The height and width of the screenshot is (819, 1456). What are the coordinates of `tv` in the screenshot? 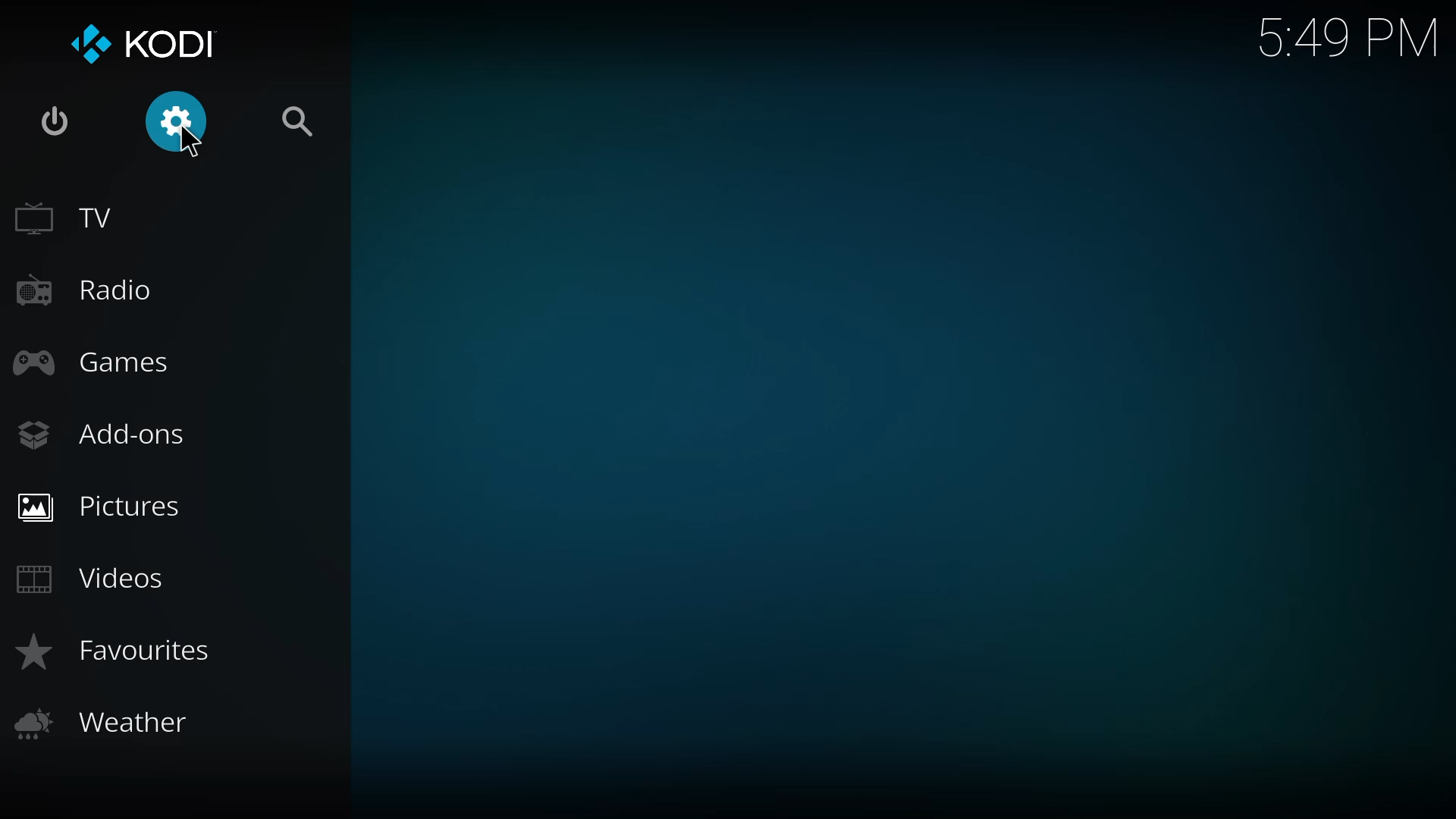 It's located at (73, 217).